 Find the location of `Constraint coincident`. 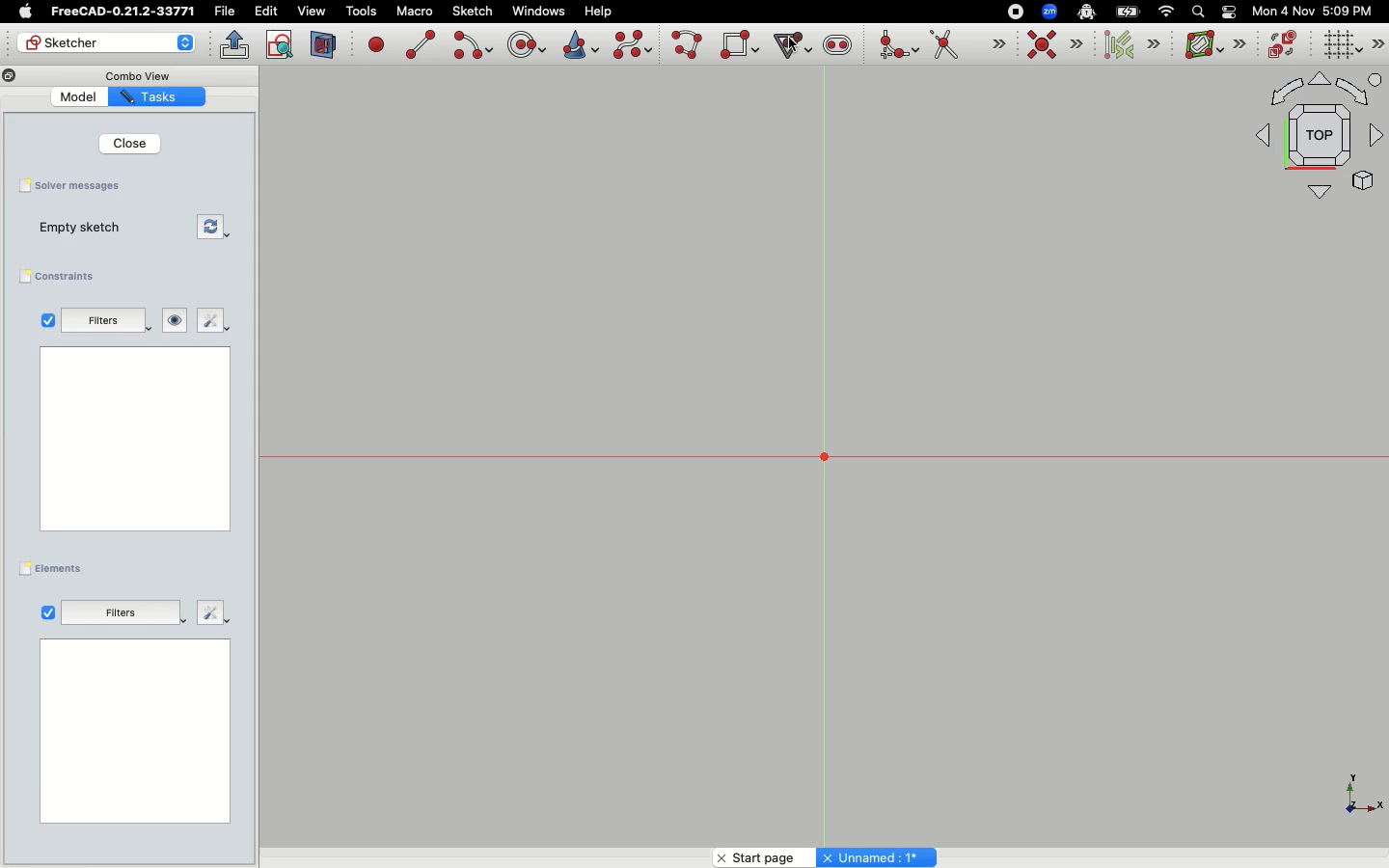

Constraint coincident is located at coordinates (1055, 45).